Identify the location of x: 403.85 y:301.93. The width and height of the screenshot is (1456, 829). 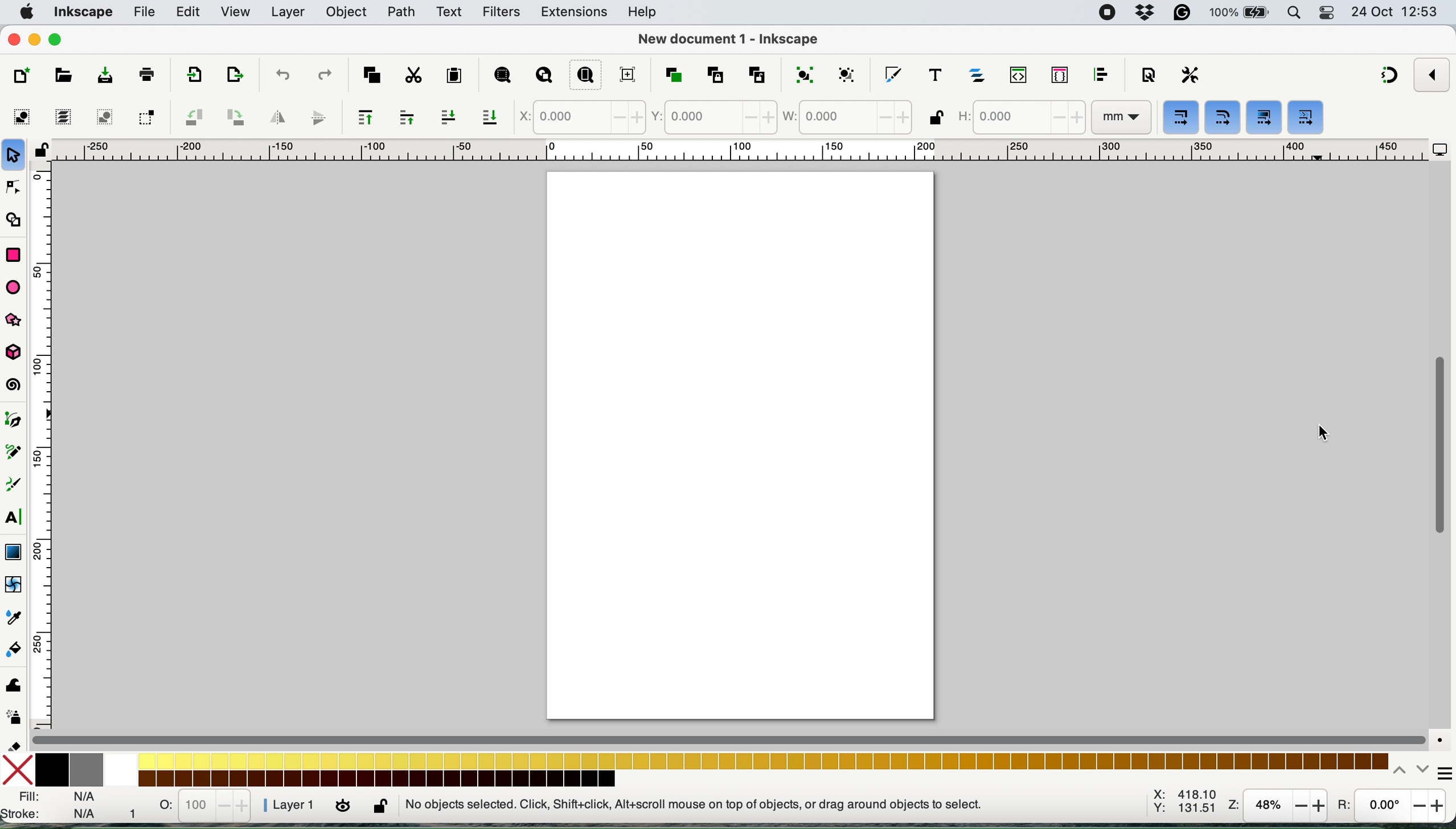
(1183, 803).